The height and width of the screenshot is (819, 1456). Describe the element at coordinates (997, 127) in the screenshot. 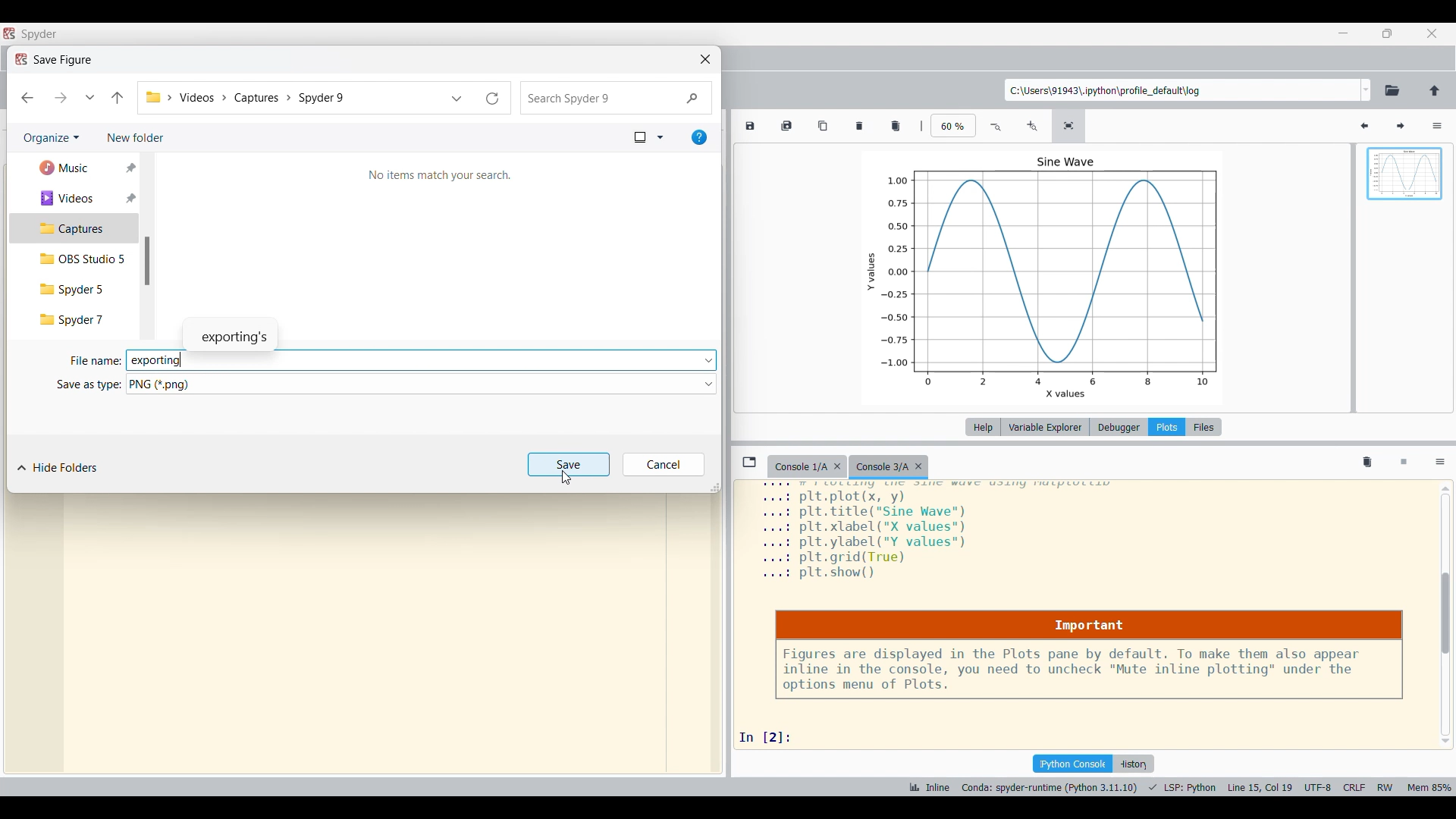

I see `Zoom out` at that location.